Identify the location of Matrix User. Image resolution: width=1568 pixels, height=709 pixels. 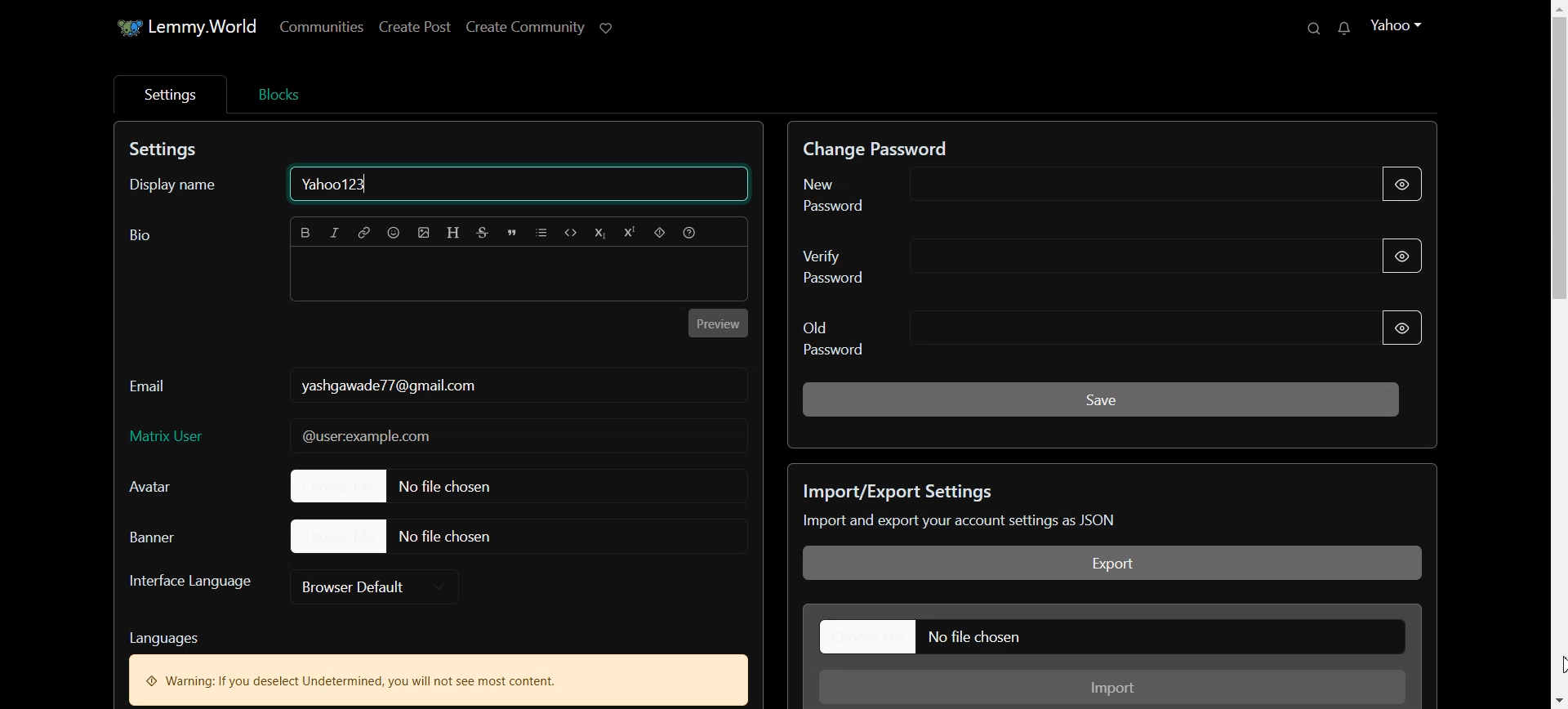
(437, 437).